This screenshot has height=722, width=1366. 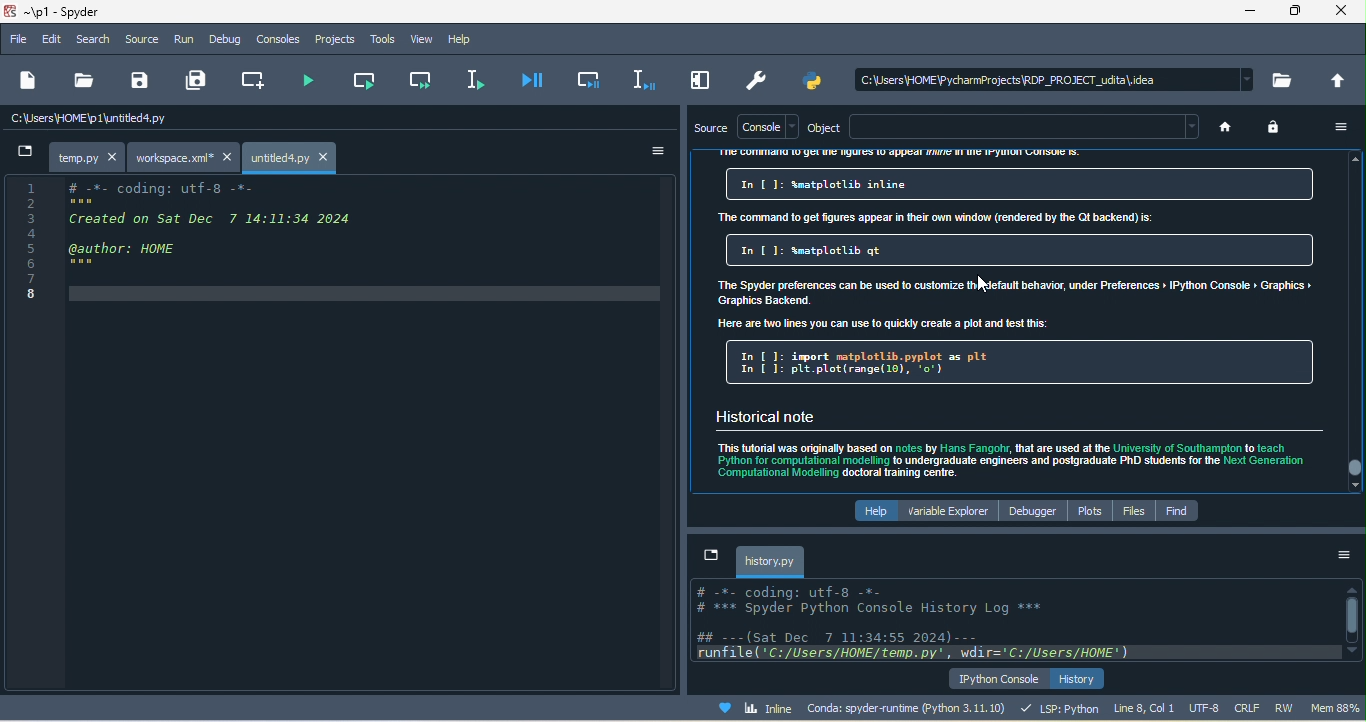 I want to click on view, so click(x=426, y=40).